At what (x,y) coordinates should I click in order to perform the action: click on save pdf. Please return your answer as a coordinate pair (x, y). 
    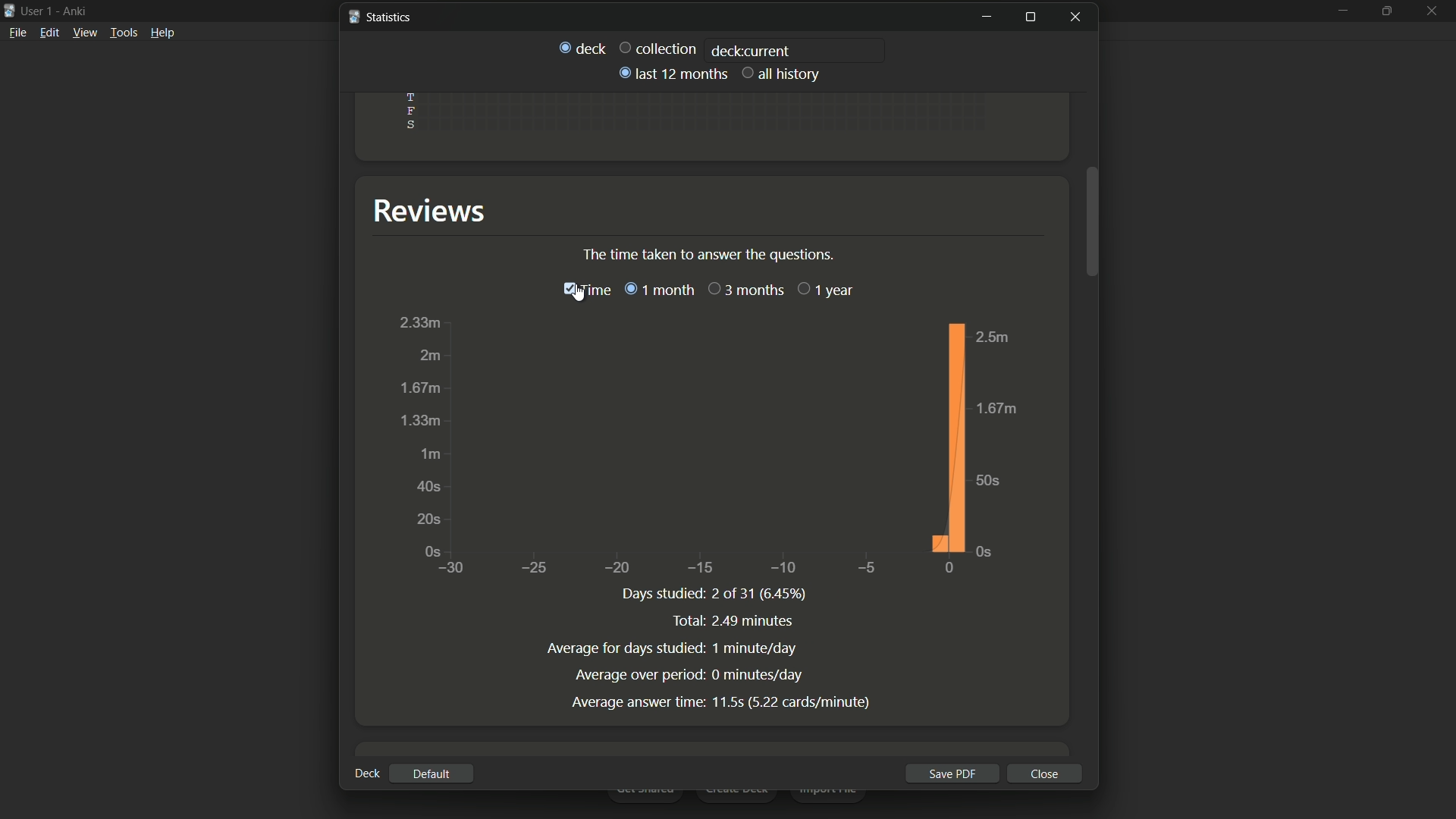
    Looking at the image, I should click on (949, 773).